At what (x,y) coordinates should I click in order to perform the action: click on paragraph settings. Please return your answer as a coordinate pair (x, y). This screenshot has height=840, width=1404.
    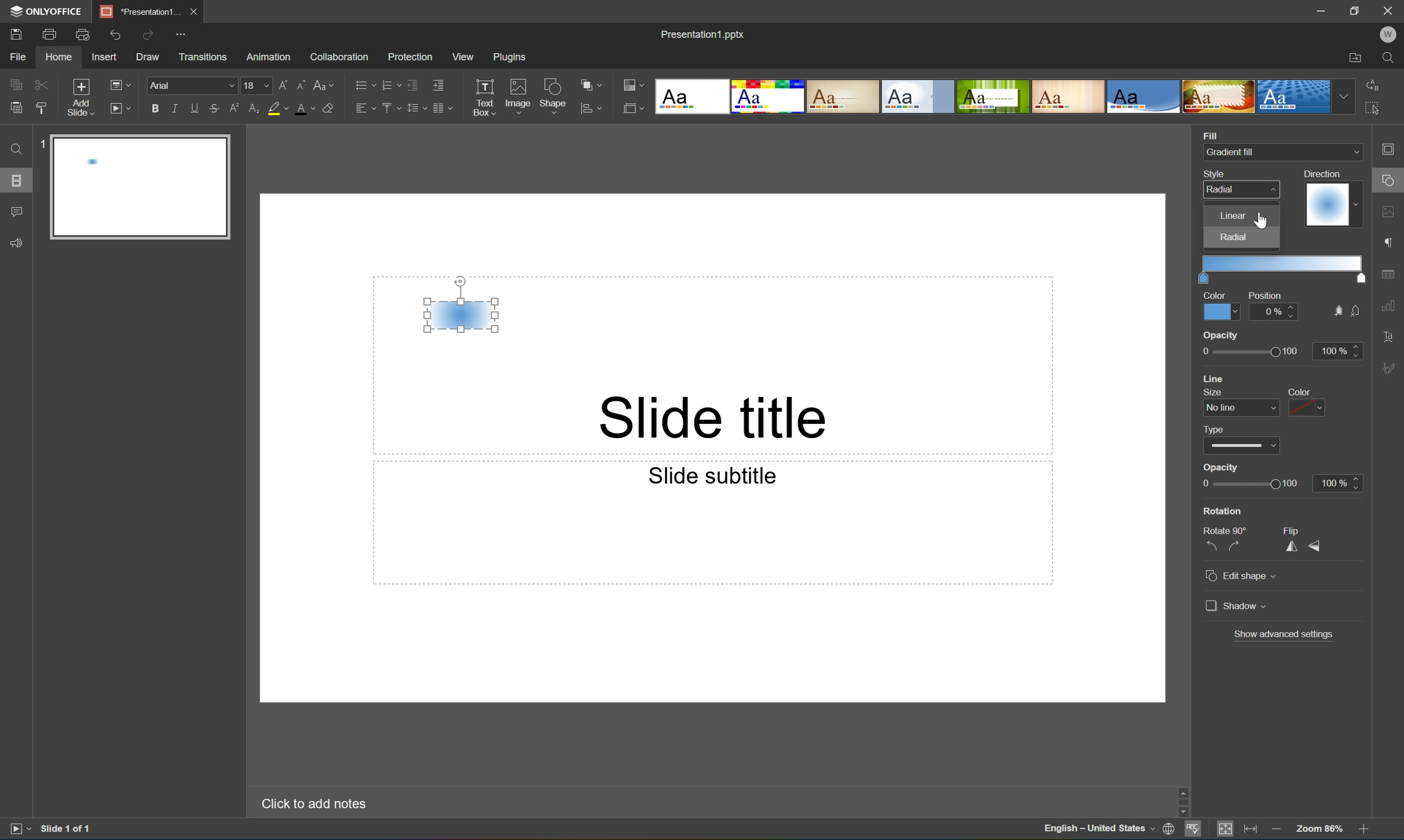
    Looking at the image, I should click on (1391, 241).